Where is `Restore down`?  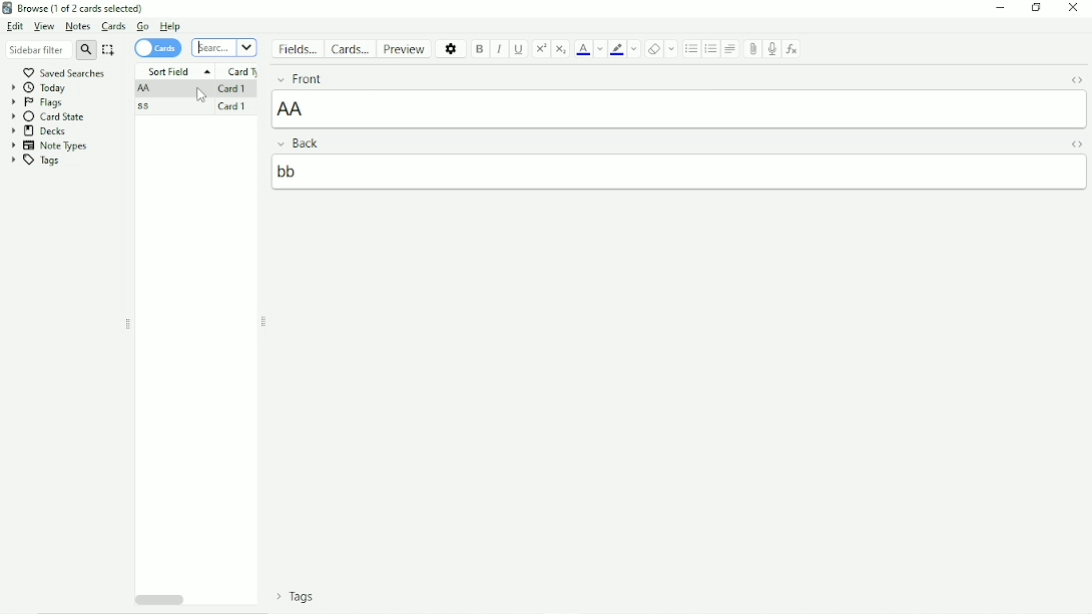 Restore down is located at coordinates (1034, 8).